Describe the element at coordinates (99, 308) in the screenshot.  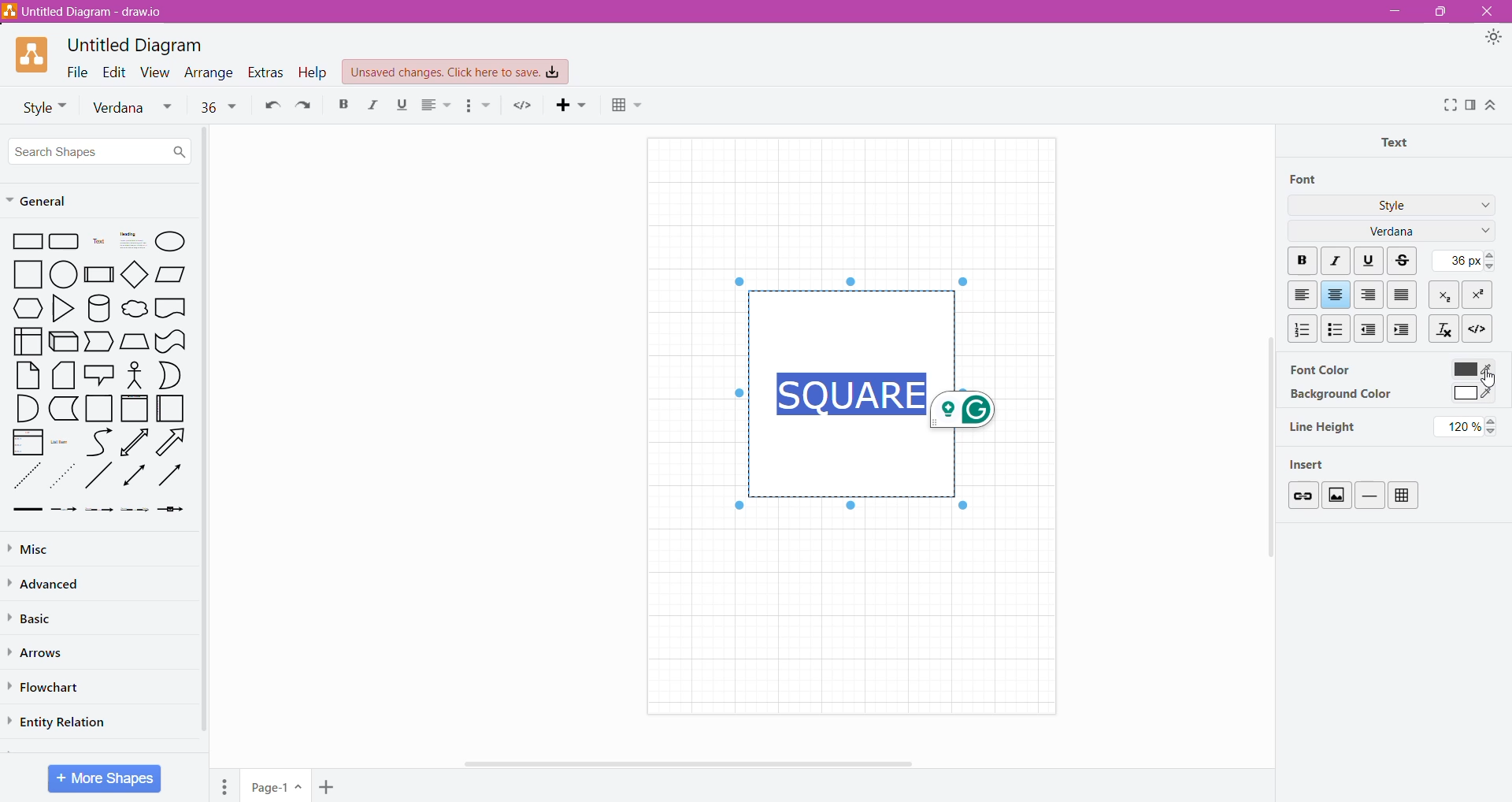
I see `Cylinder ` at that location.